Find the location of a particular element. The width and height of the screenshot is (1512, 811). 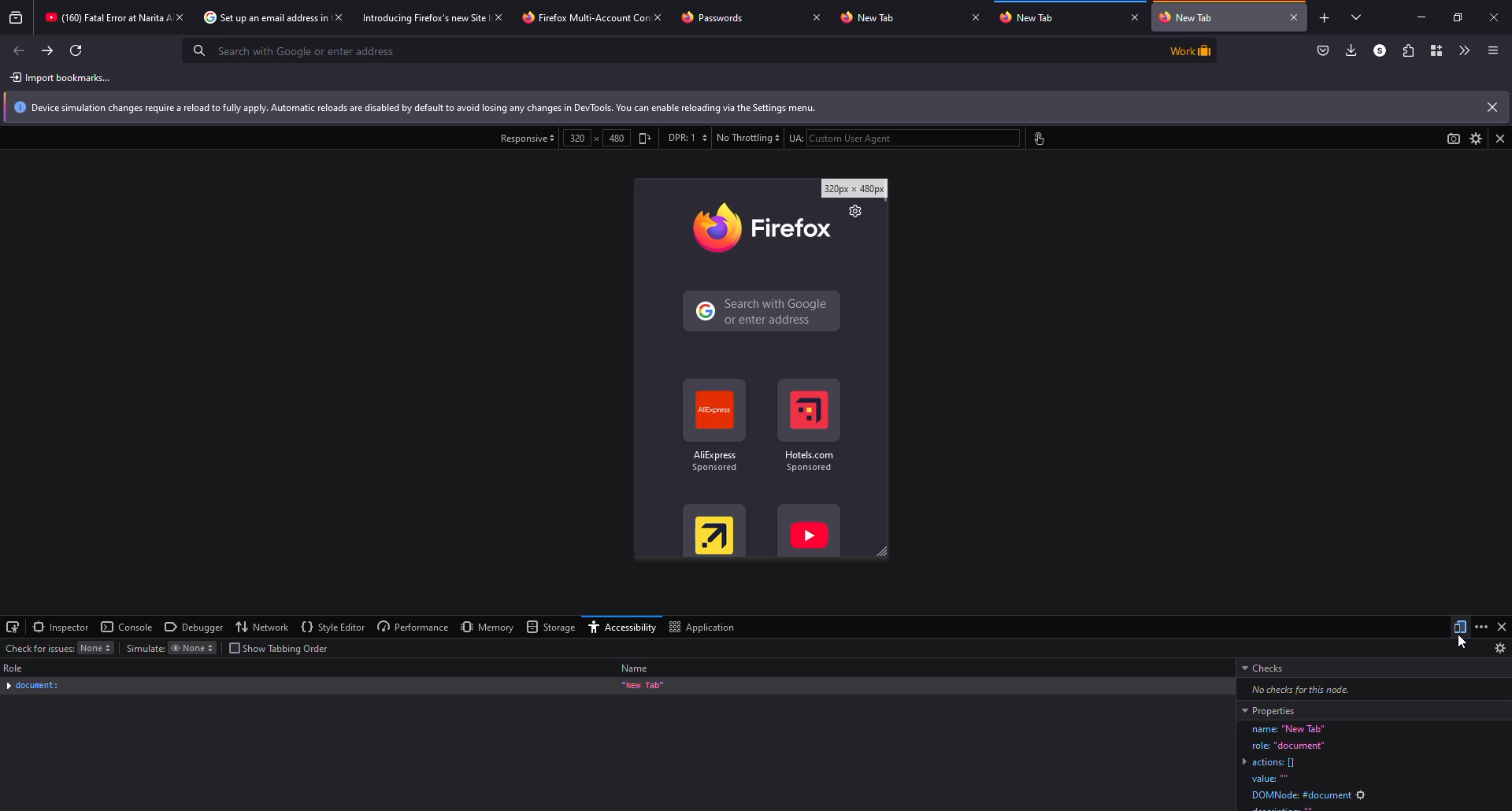

role is located at coordinates (16, 668).